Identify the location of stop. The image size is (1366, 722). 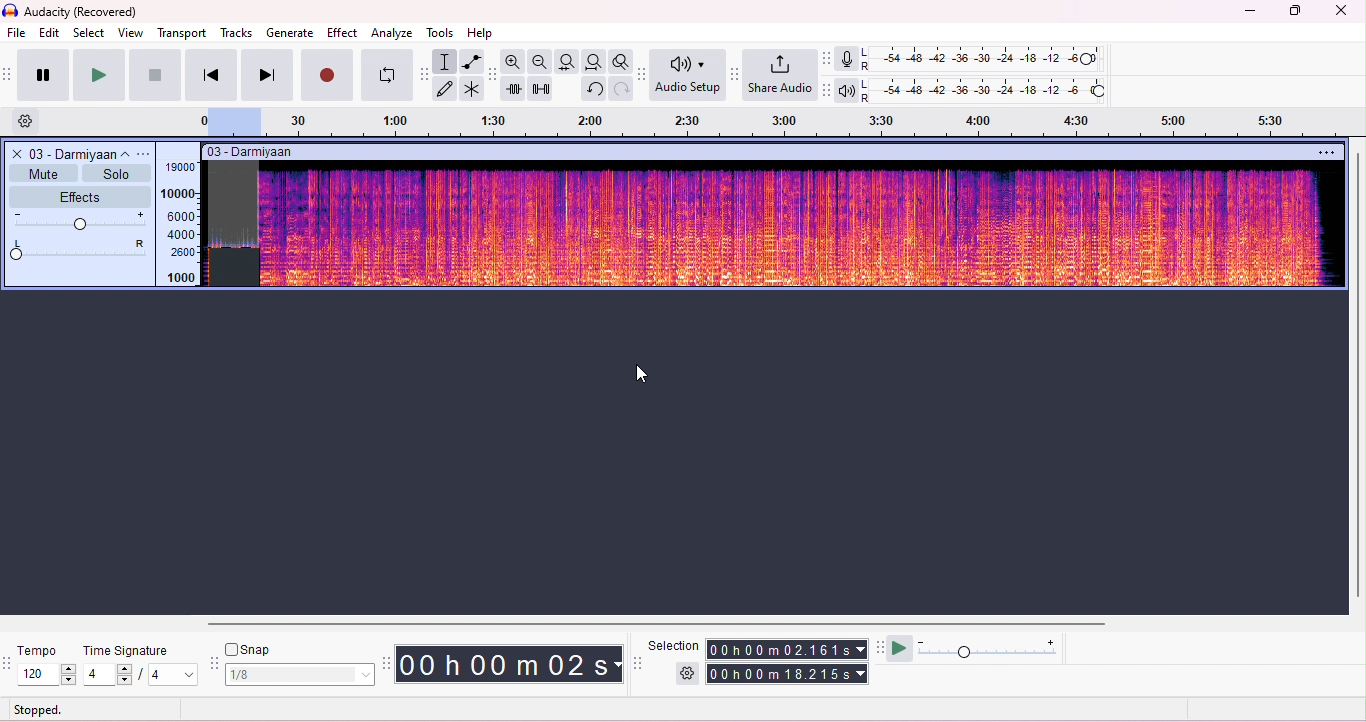
(155, 74).